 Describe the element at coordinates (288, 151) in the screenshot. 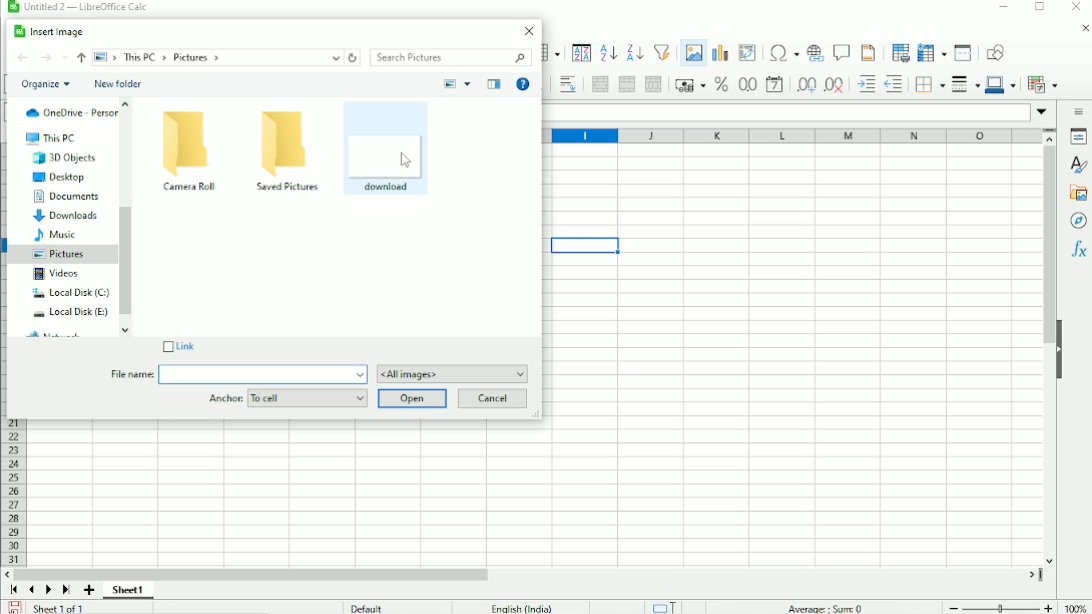

I see `Saved Pictures` at that location.